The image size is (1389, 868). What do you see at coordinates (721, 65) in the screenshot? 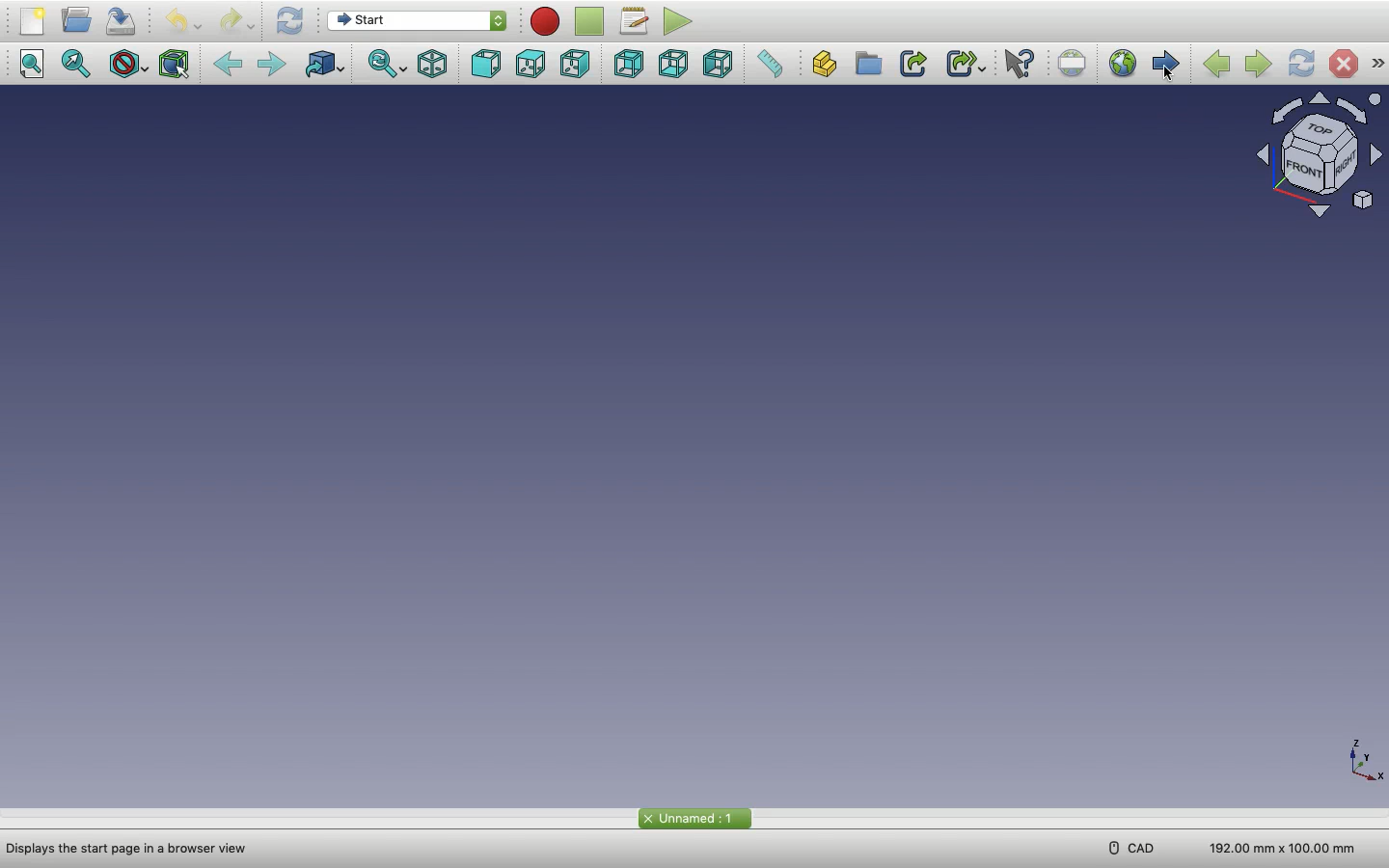
I see `Left` at bounding box center [721, 65].